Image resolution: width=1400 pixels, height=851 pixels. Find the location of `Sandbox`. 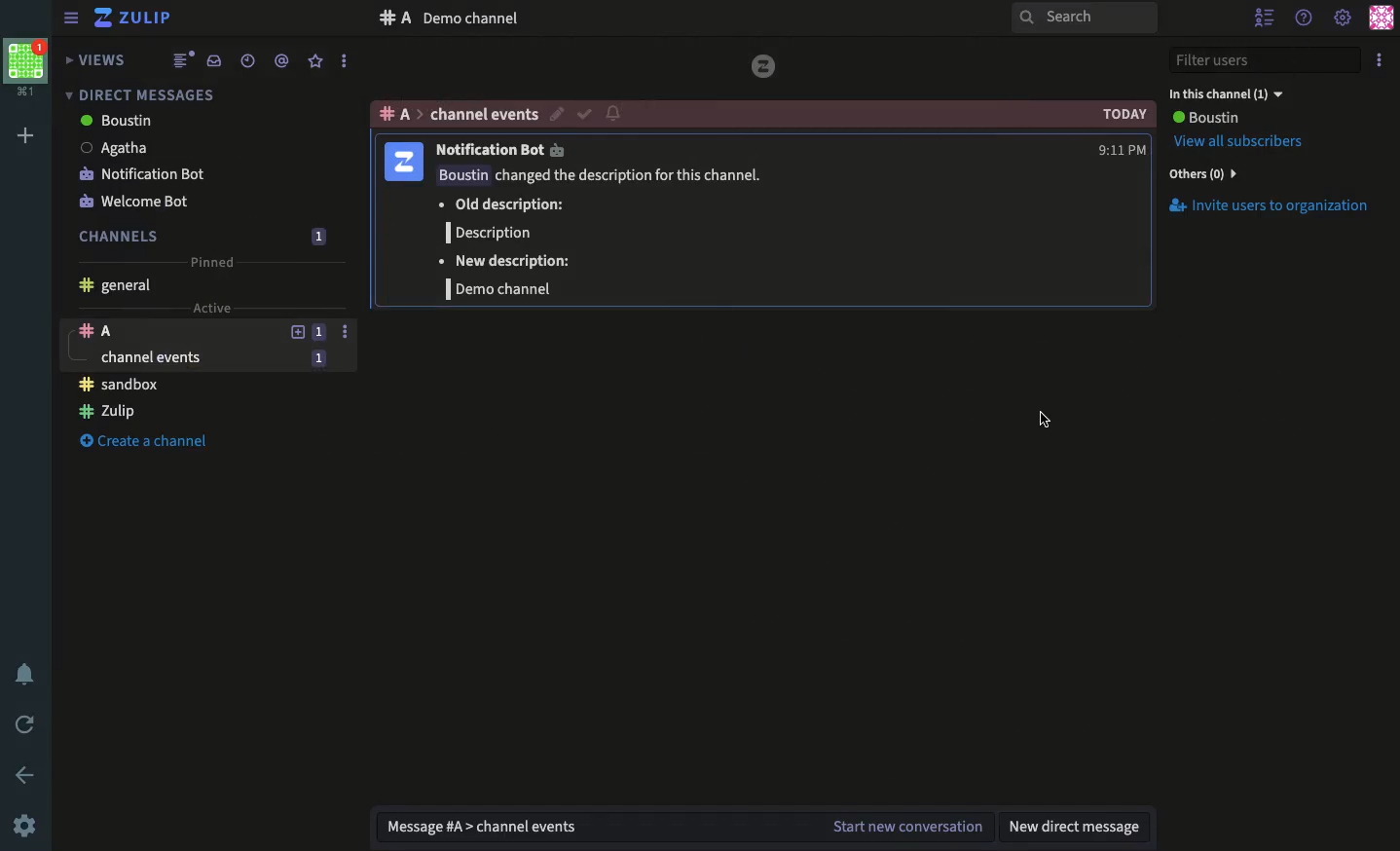

Sandbox is located at coordinates (125, 385).